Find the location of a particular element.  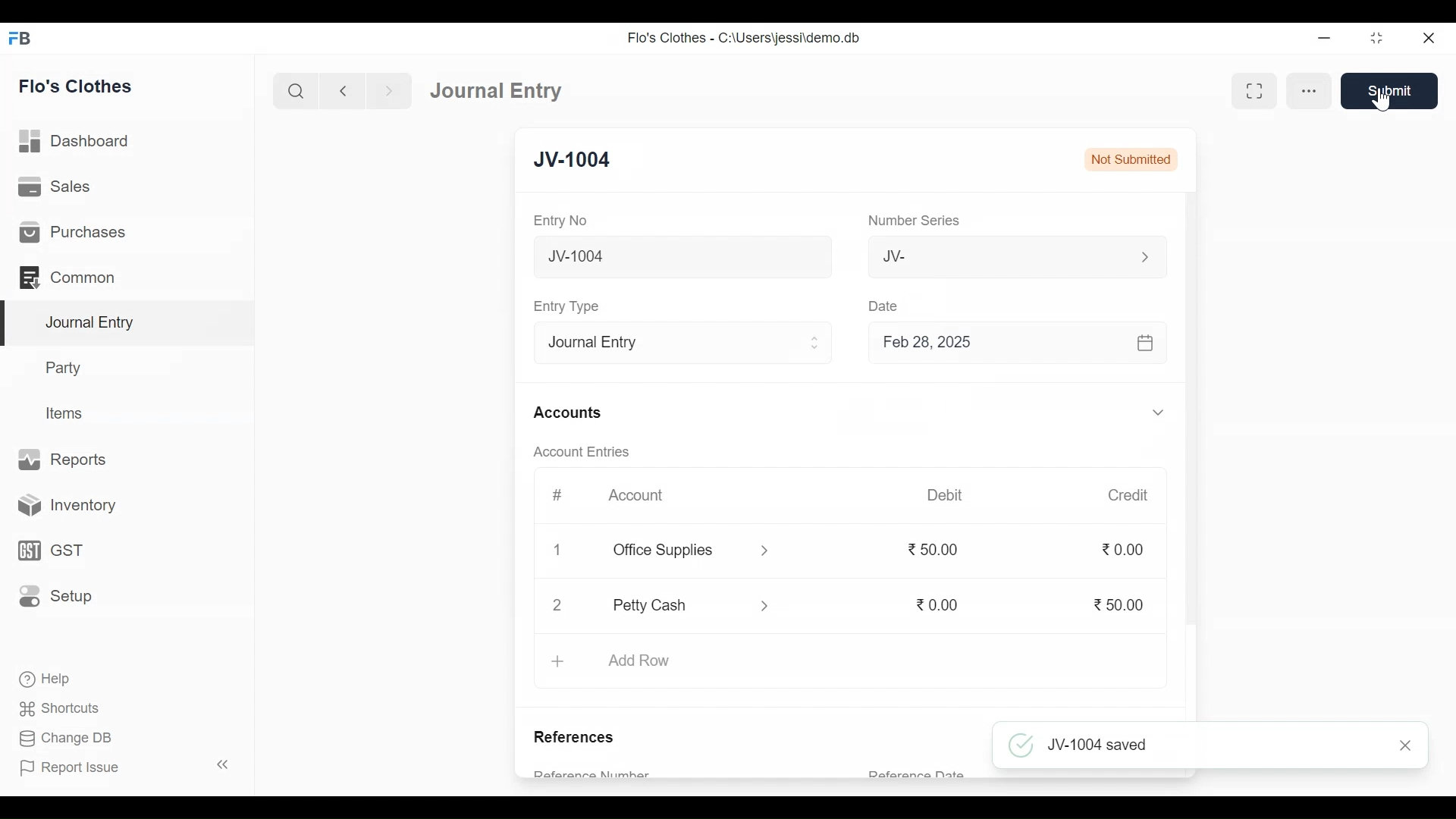

References is located at coordinates (580, 739).